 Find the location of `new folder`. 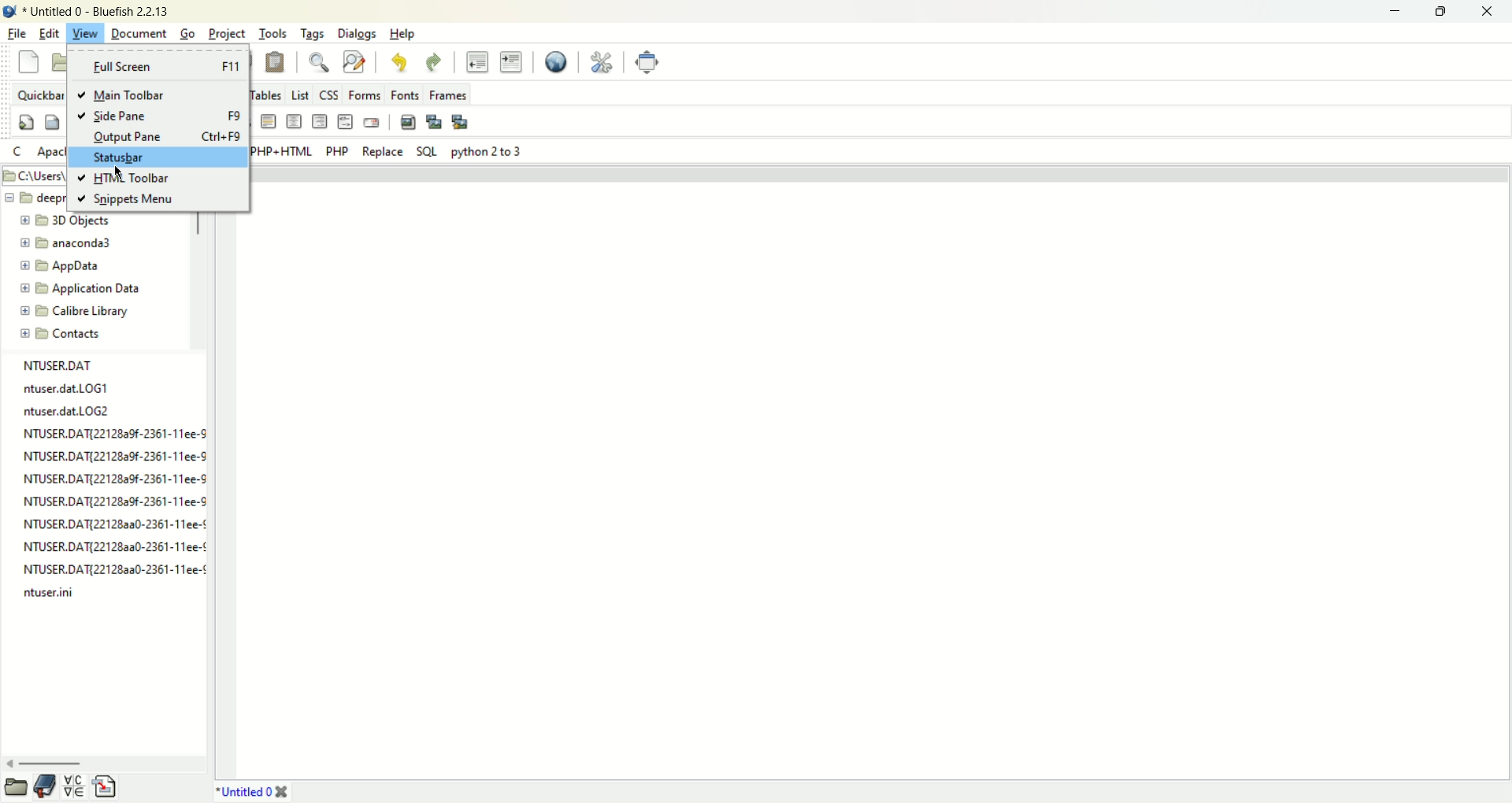

new folder is located at coordinates (69, 242).